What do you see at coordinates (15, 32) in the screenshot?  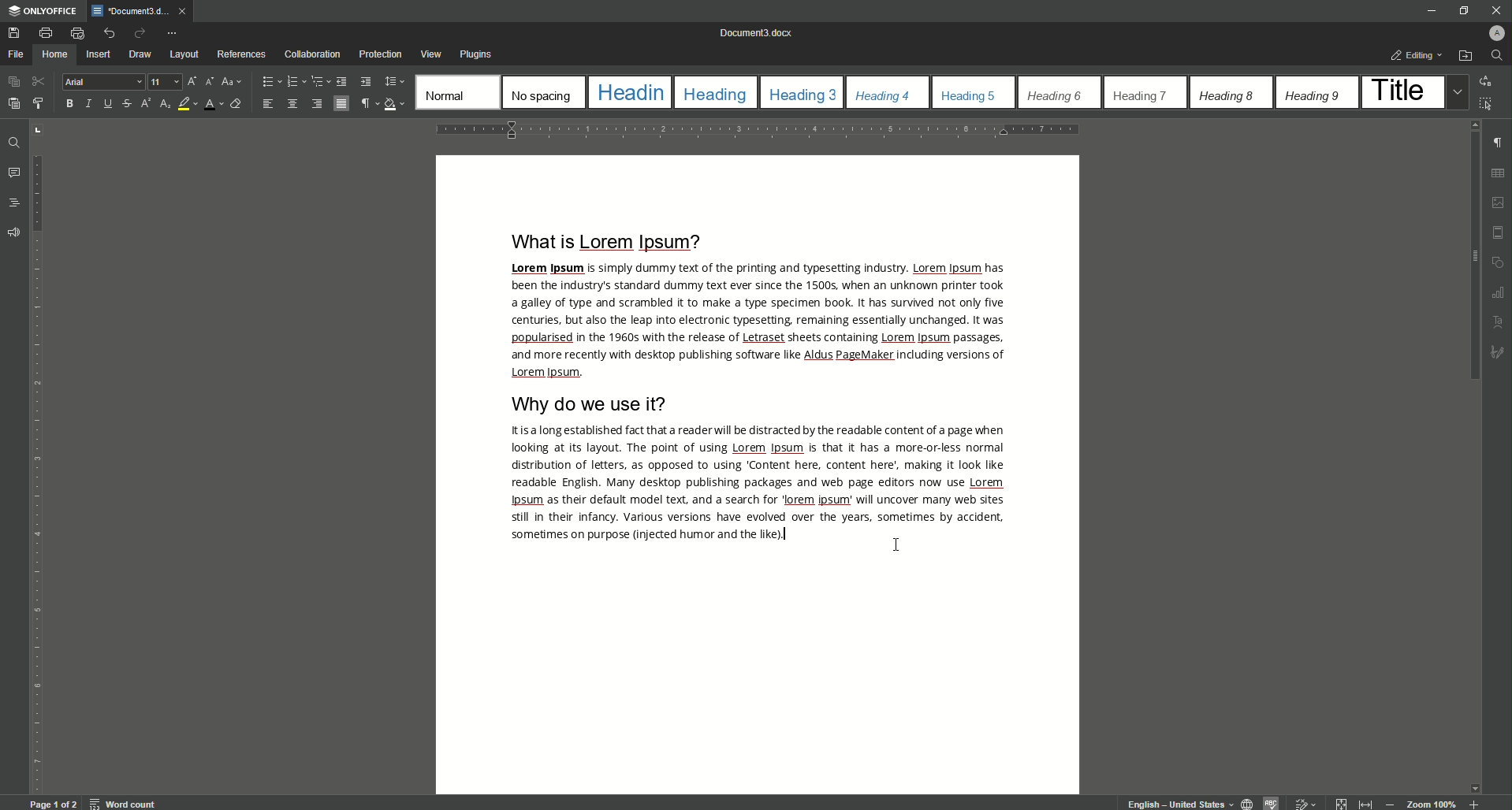 I see `Save` at bounding box center [15, 32].